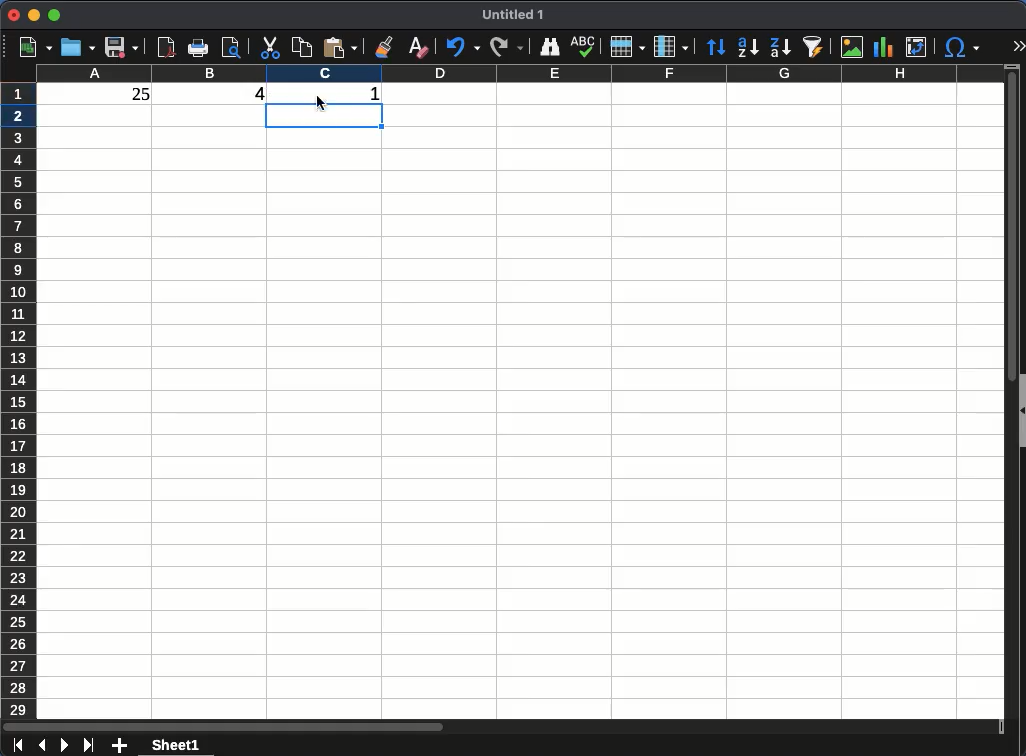 This screenshot has width=1026, height=756. Describe the element at coordinates (78, 47) in the screenshot. I see `open` at that location.